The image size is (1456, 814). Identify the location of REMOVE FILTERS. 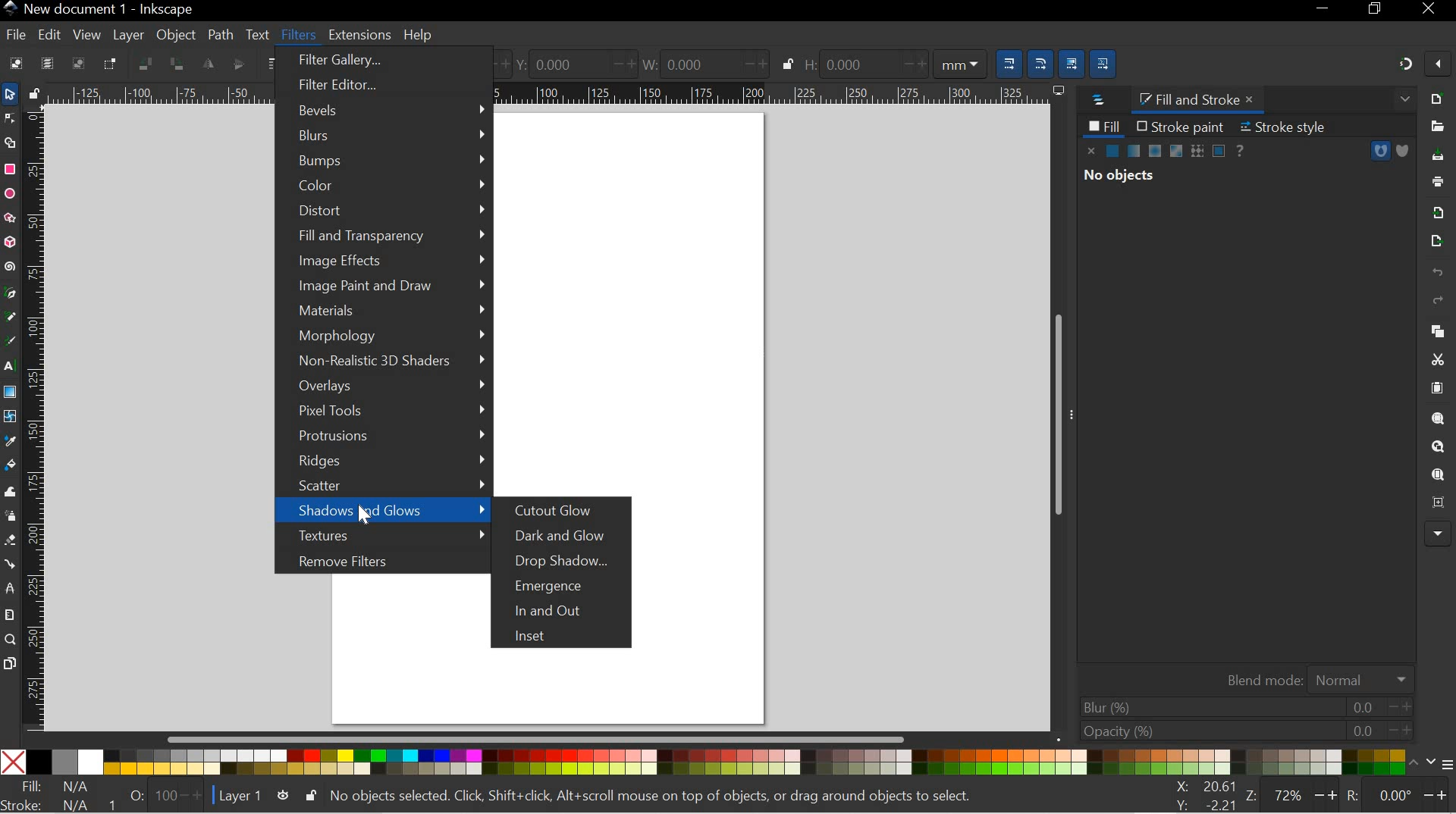
(378, 559).